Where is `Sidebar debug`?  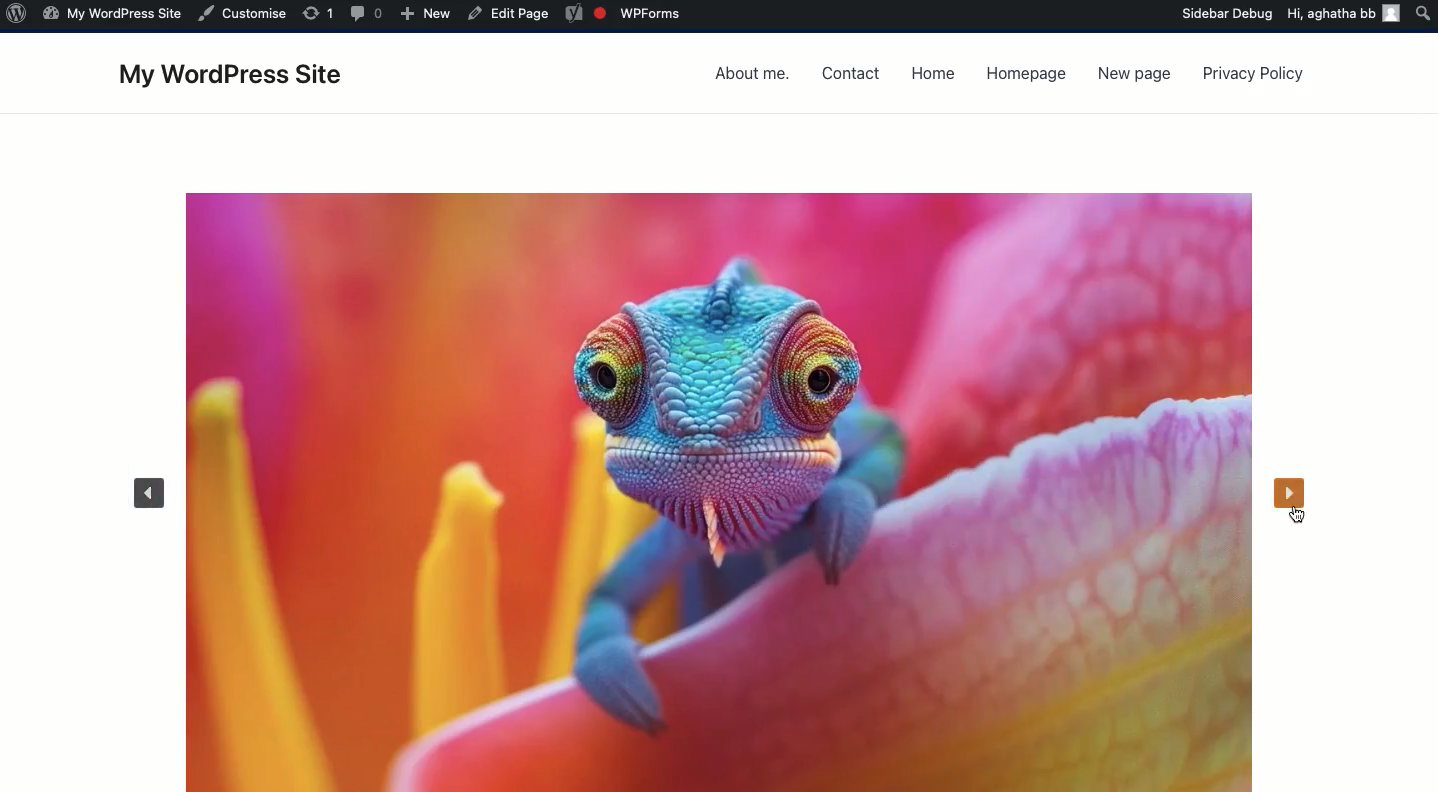
Sidebar debug is located at coordinates (1229, 14).